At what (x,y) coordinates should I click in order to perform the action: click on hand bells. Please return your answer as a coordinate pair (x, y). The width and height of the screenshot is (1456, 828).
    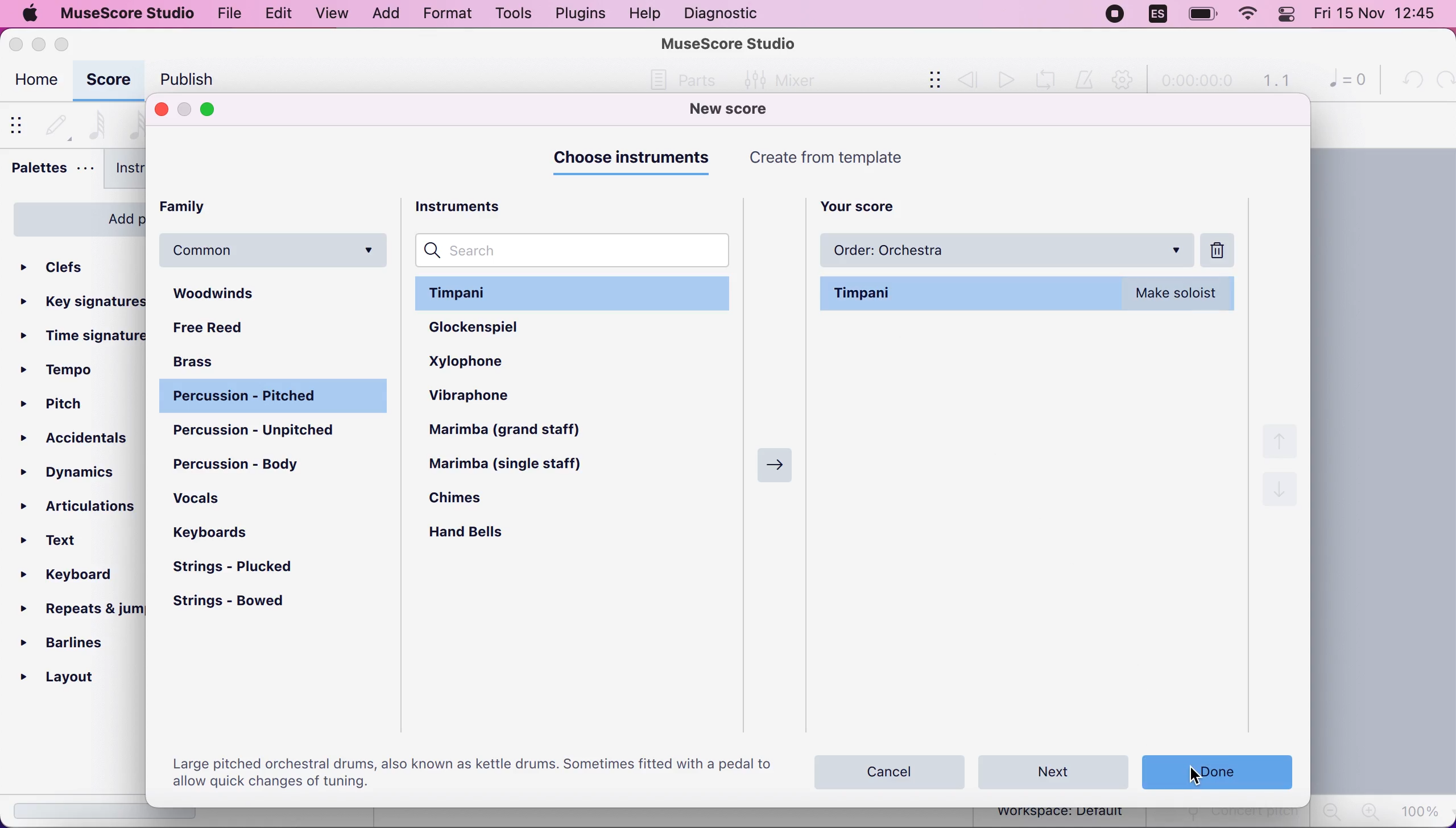
    Looking at the image, I should click on (478, 534).